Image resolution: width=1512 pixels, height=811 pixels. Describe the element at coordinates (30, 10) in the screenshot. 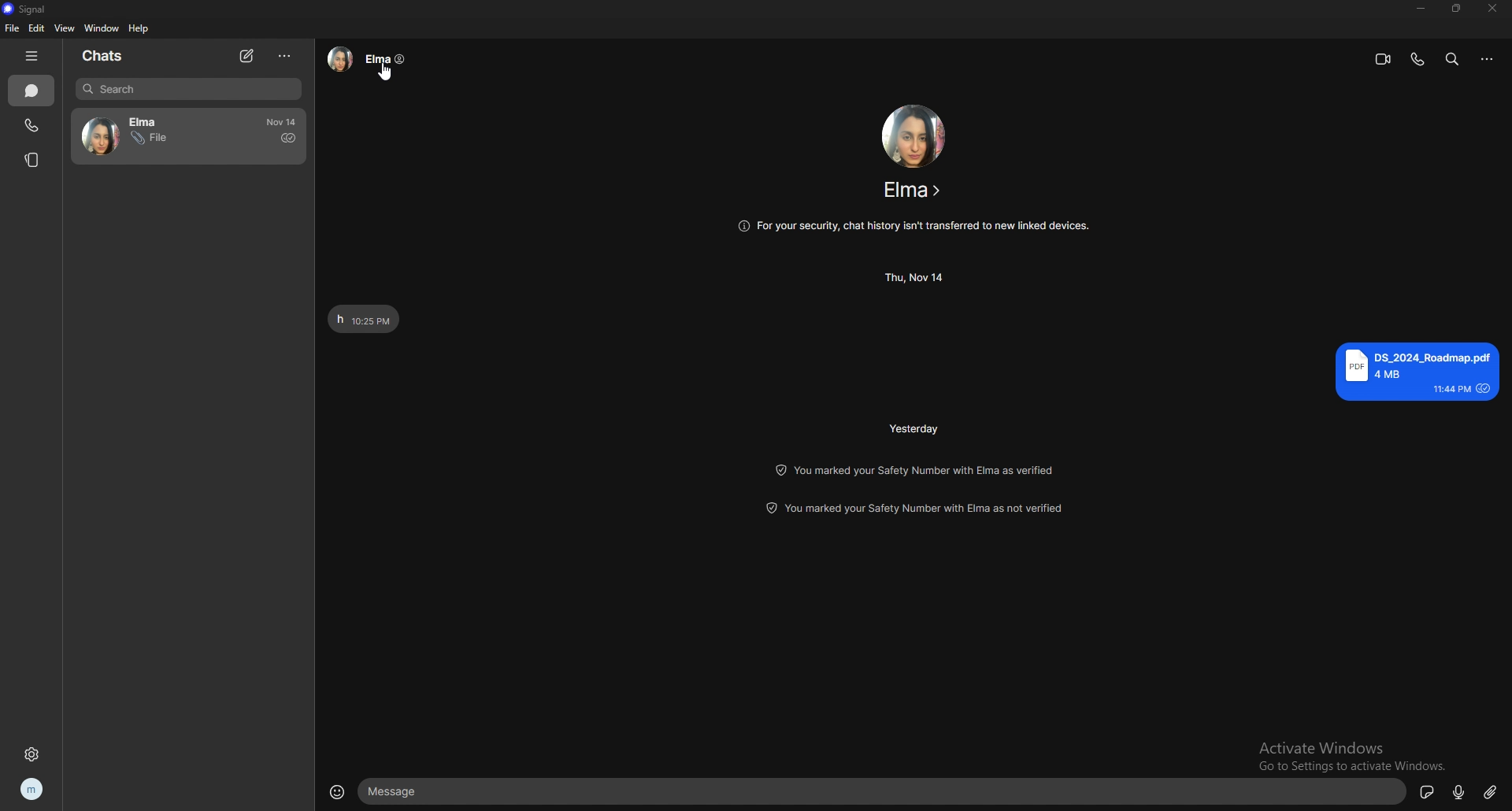

I see `signal` at that location.